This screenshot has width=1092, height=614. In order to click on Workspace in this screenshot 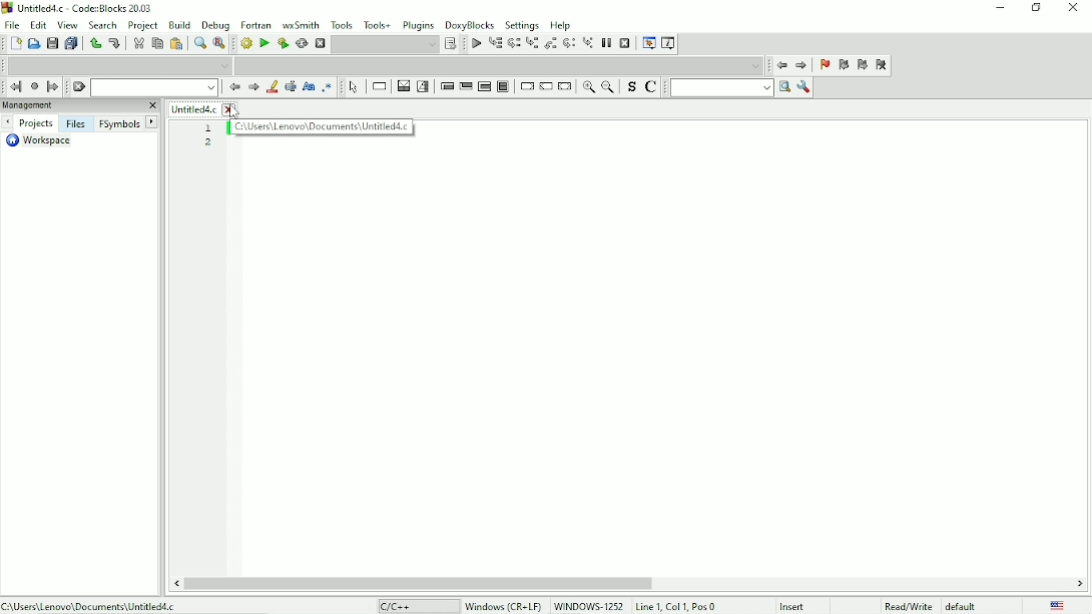, I will do `click(40, 141)`.